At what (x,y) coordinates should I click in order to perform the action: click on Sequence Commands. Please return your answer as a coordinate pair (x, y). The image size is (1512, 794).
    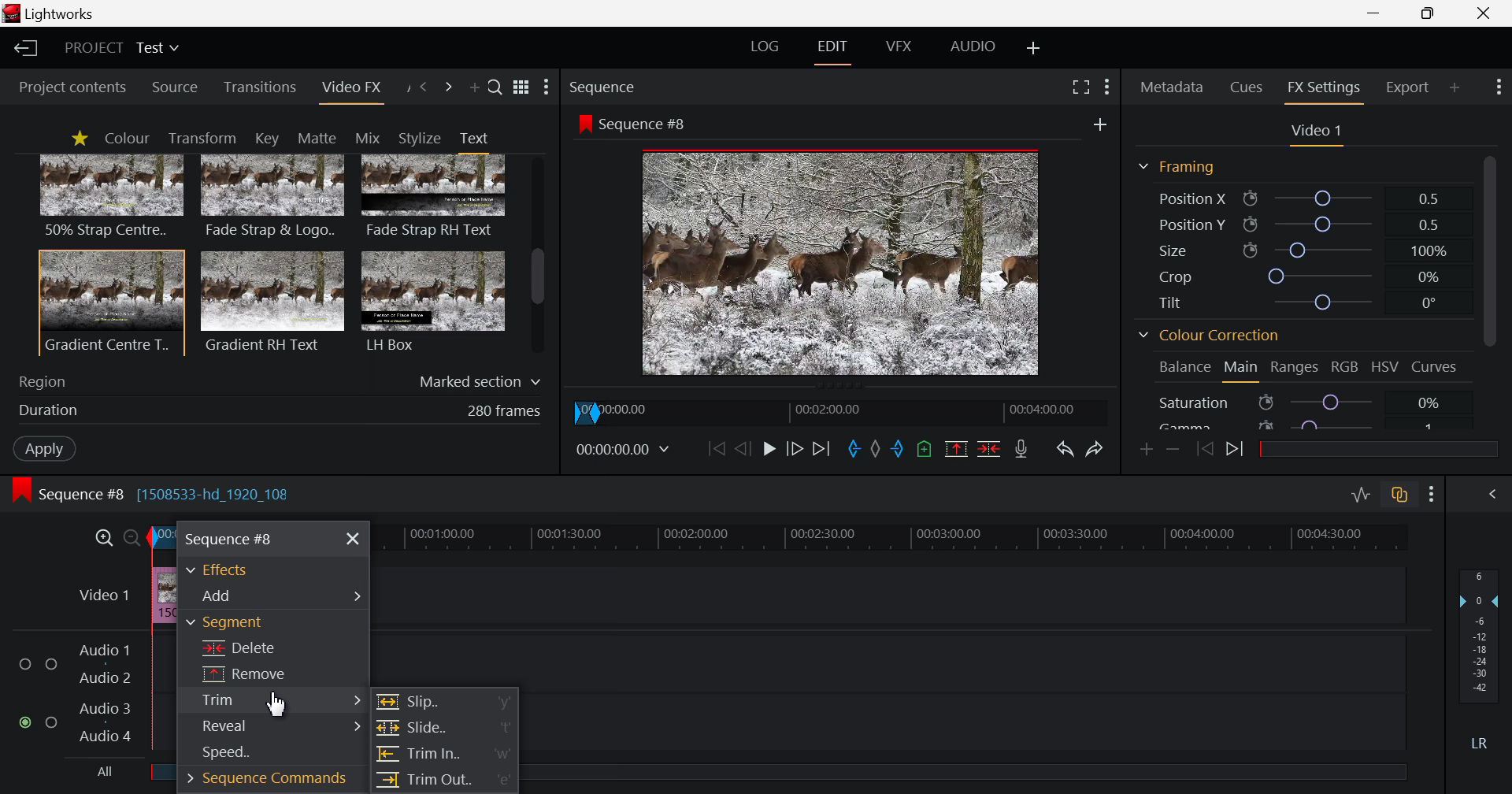
    Looking at the image, I should click on (261, 781).